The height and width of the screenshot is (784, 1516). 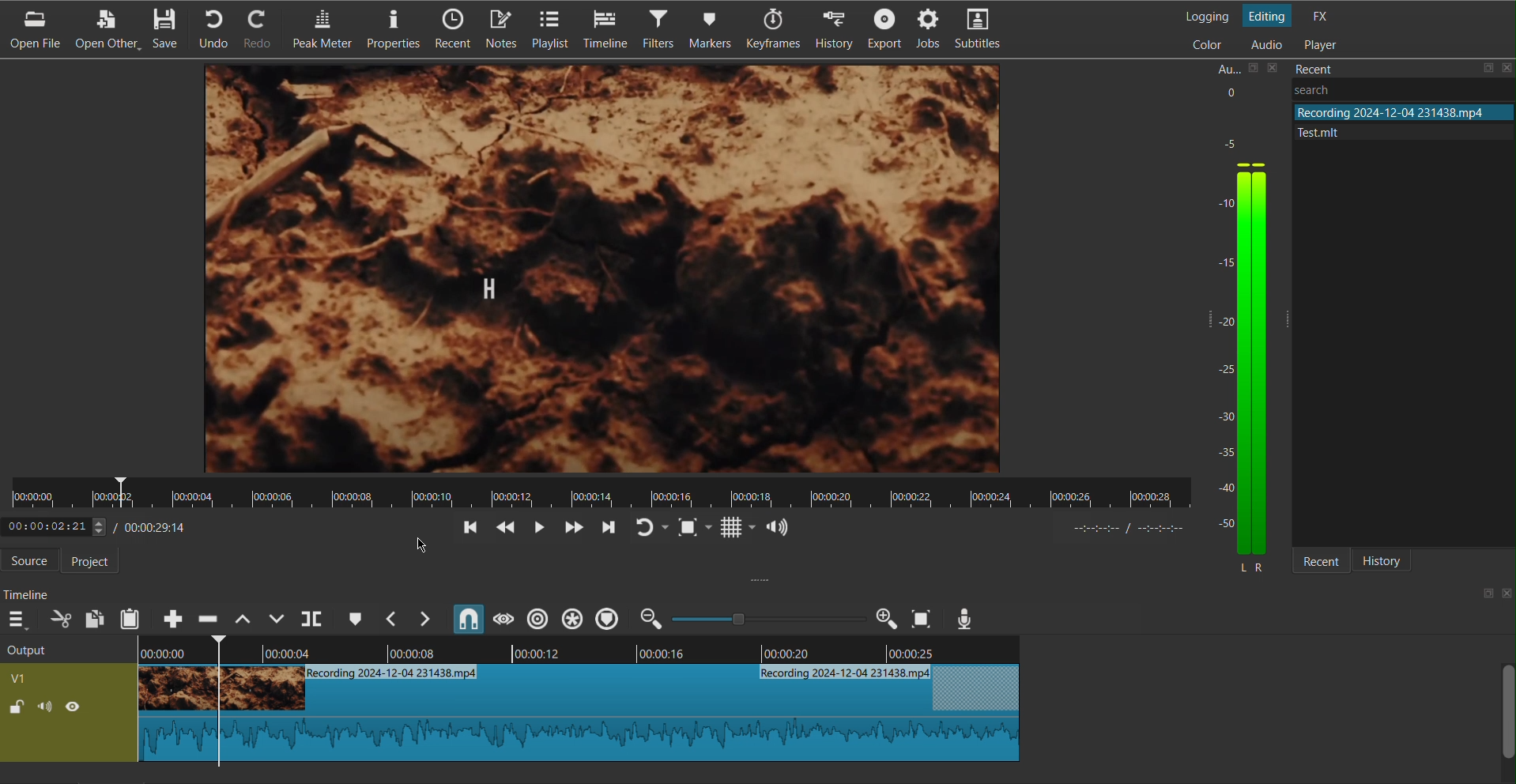 I want to click on Skip Back, so click(x=507, y=529).